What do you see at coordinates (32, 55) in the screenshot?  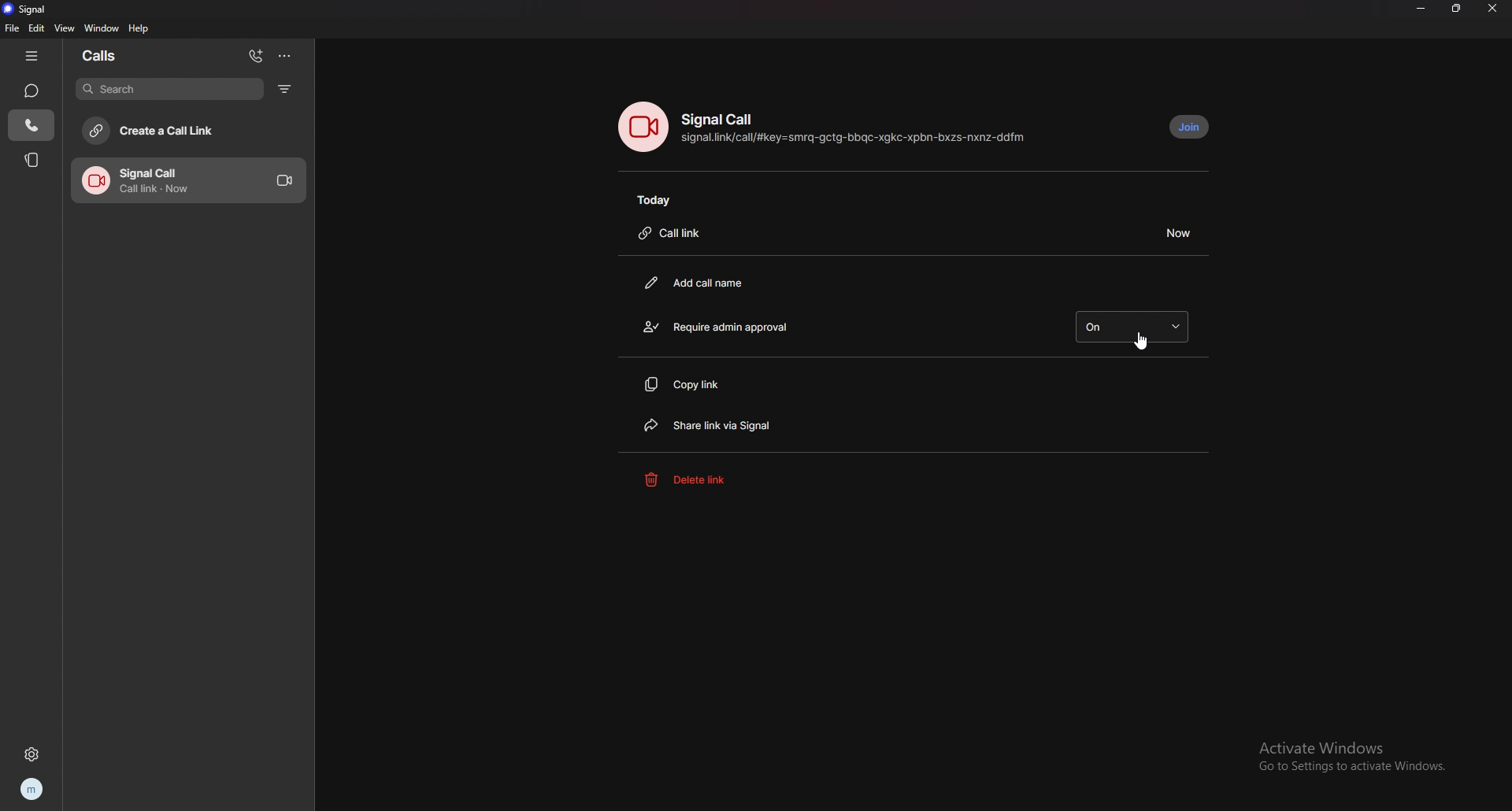 I see `hide tab` at bounding box center [32, 55].